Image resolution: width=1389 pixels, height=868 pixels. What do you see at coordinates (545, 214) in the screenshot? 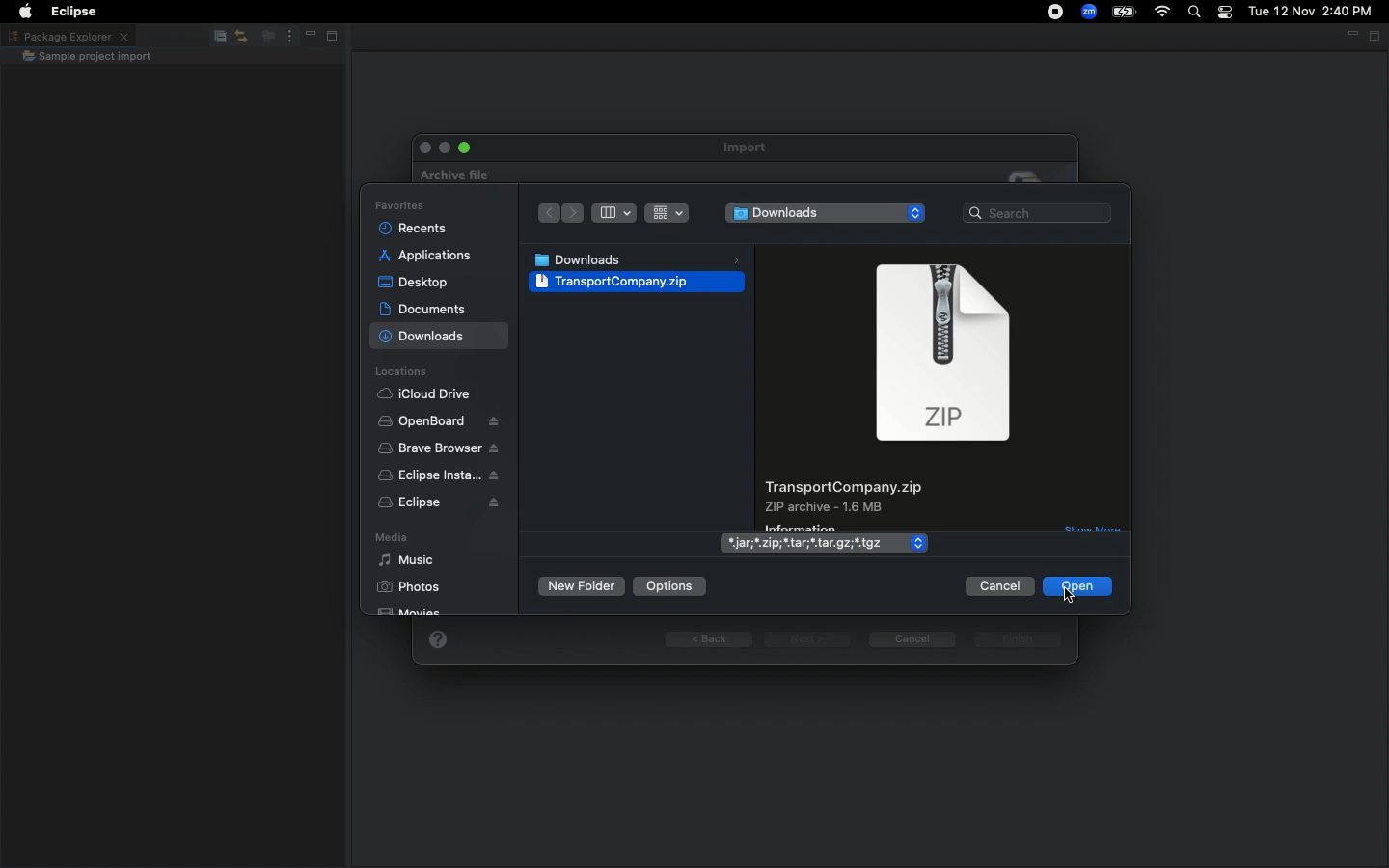
I see `Back` at bounding box center [545, 214].